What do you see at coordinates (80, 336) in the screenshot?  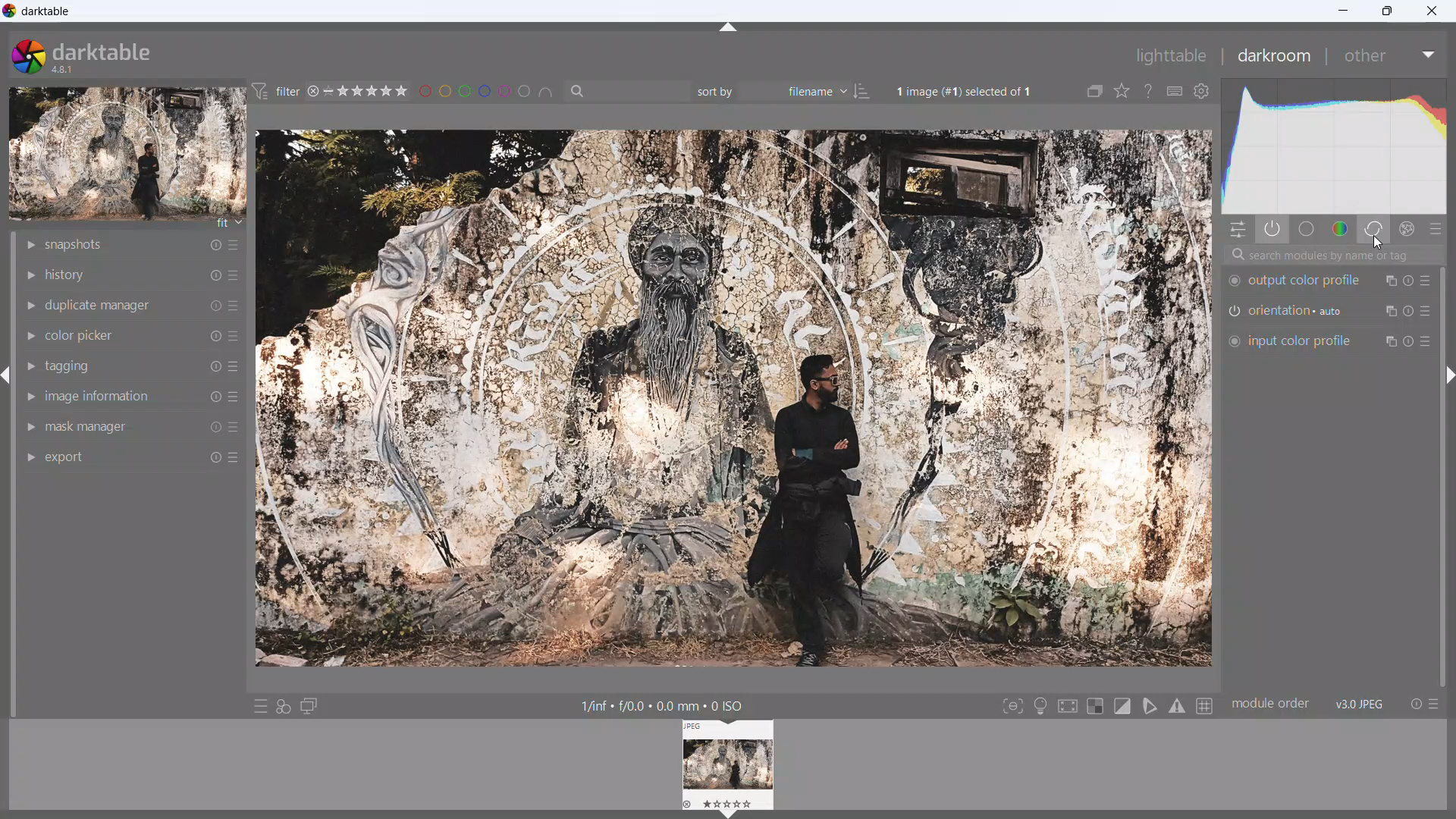 I see `color picker` at bounding box center [80, 336].